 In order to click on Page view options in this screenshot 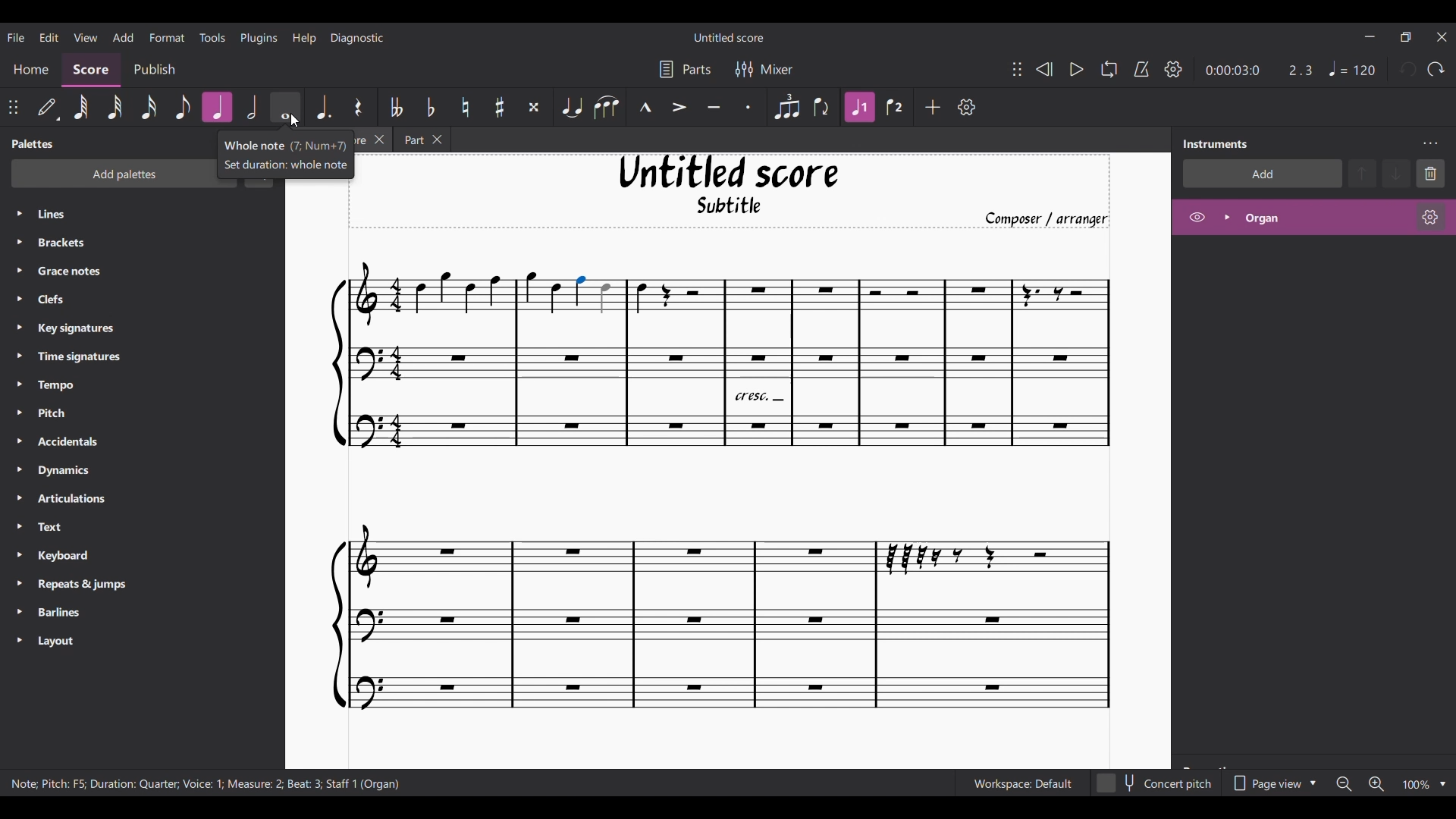, I will do `click(1272, 783)`.